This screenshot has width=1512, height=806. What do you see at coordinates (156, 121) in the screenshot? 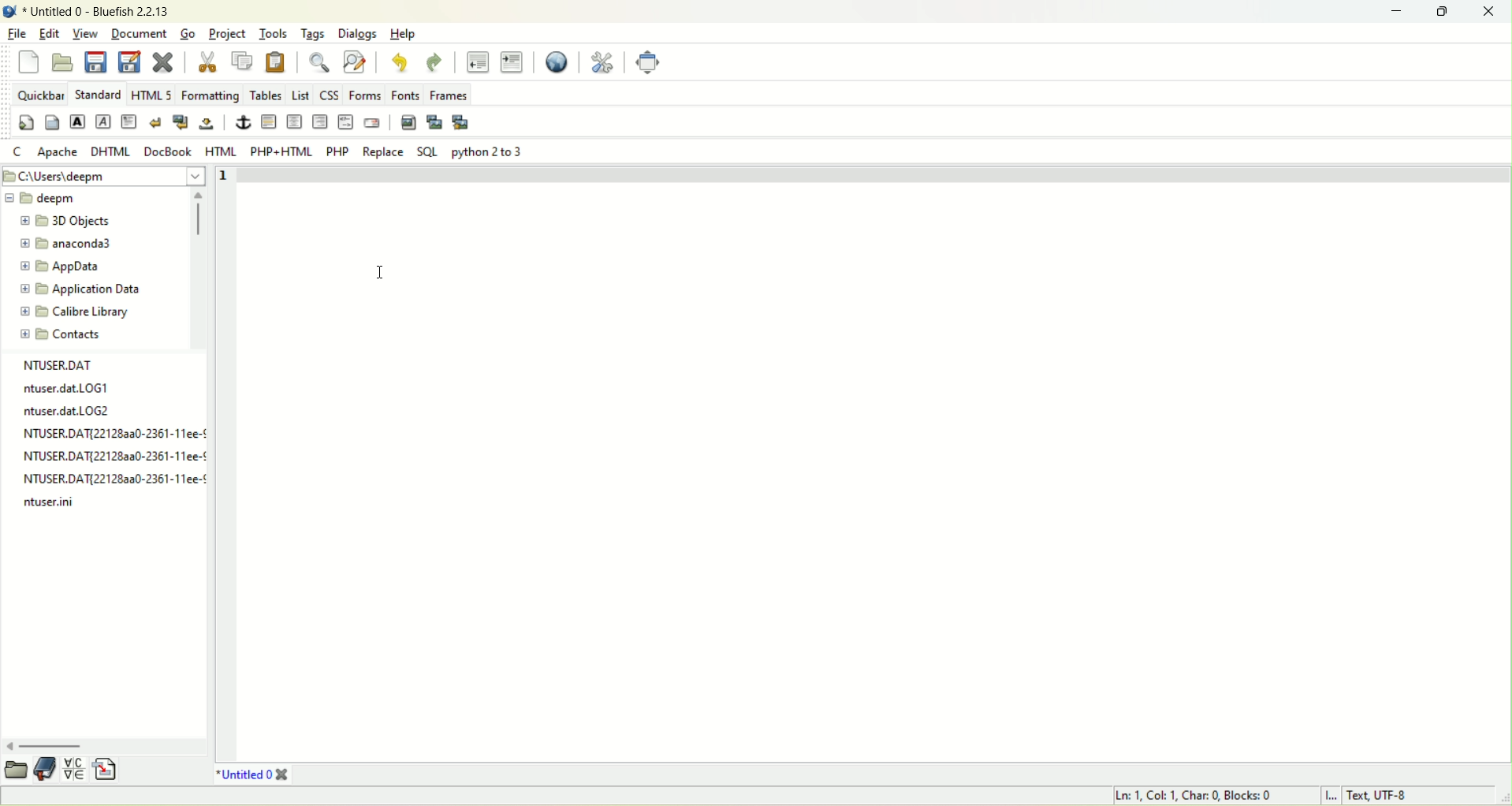
I see `line break` at bounding box center [156, 121].